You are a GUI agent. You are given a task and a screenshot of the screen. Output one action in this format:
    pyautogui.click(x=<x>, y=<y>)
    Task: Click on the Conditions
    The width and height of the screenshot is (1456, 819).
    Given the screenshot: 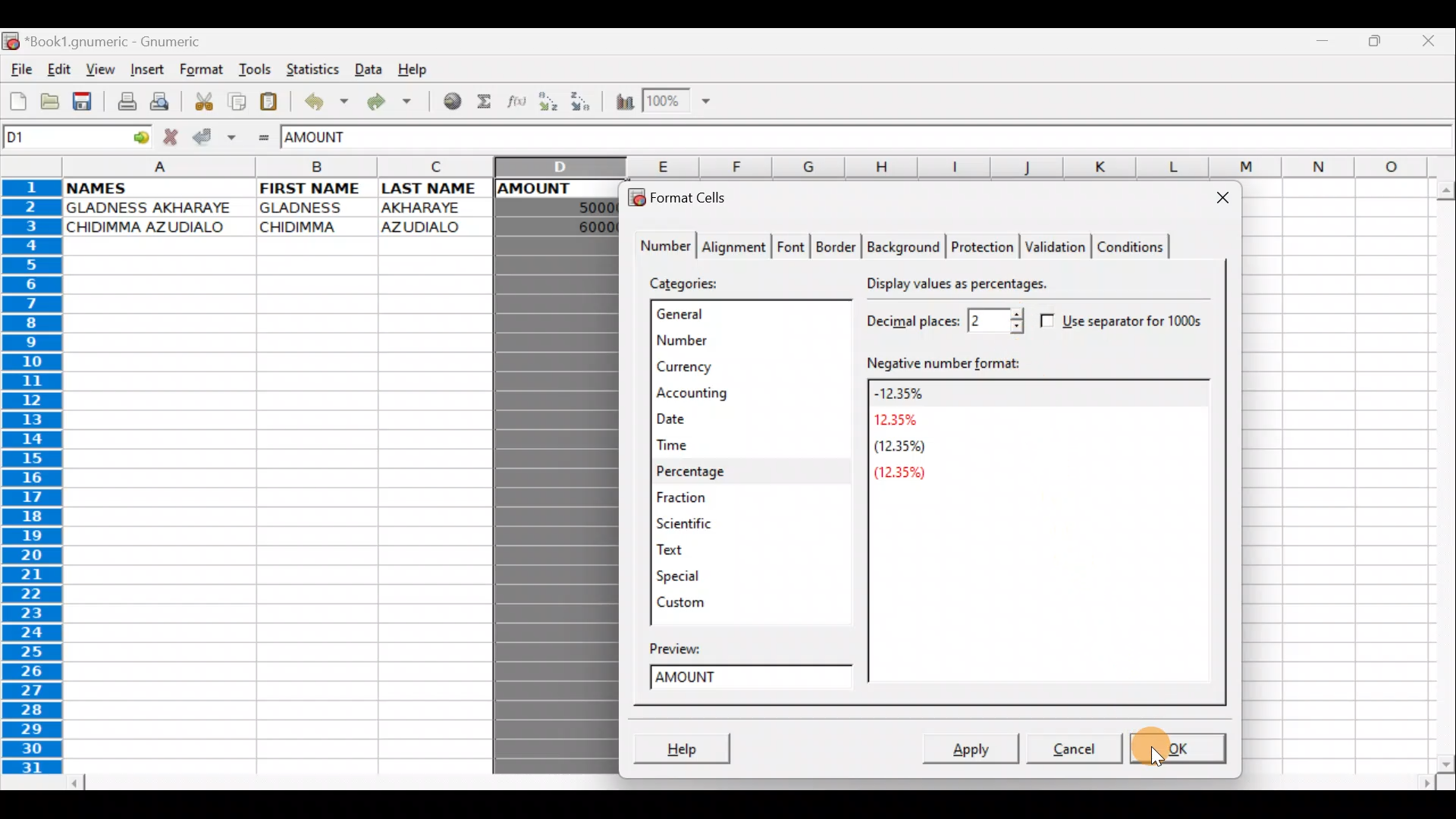 What is the action you would take?
    pyautogui.click(x=1132, y=244)
    